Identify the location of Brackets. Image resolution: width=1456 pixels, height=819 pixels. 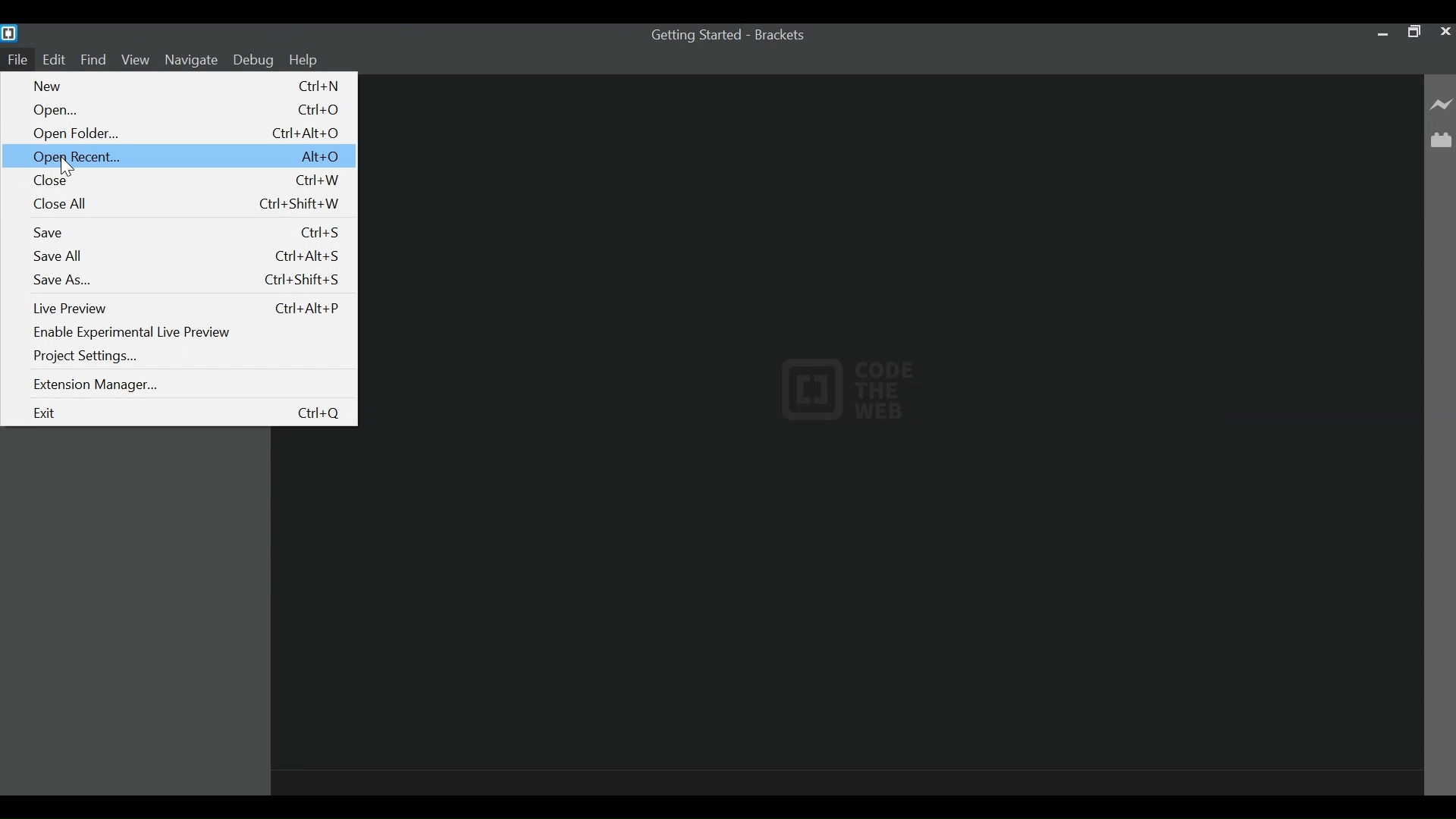
(783, 35).